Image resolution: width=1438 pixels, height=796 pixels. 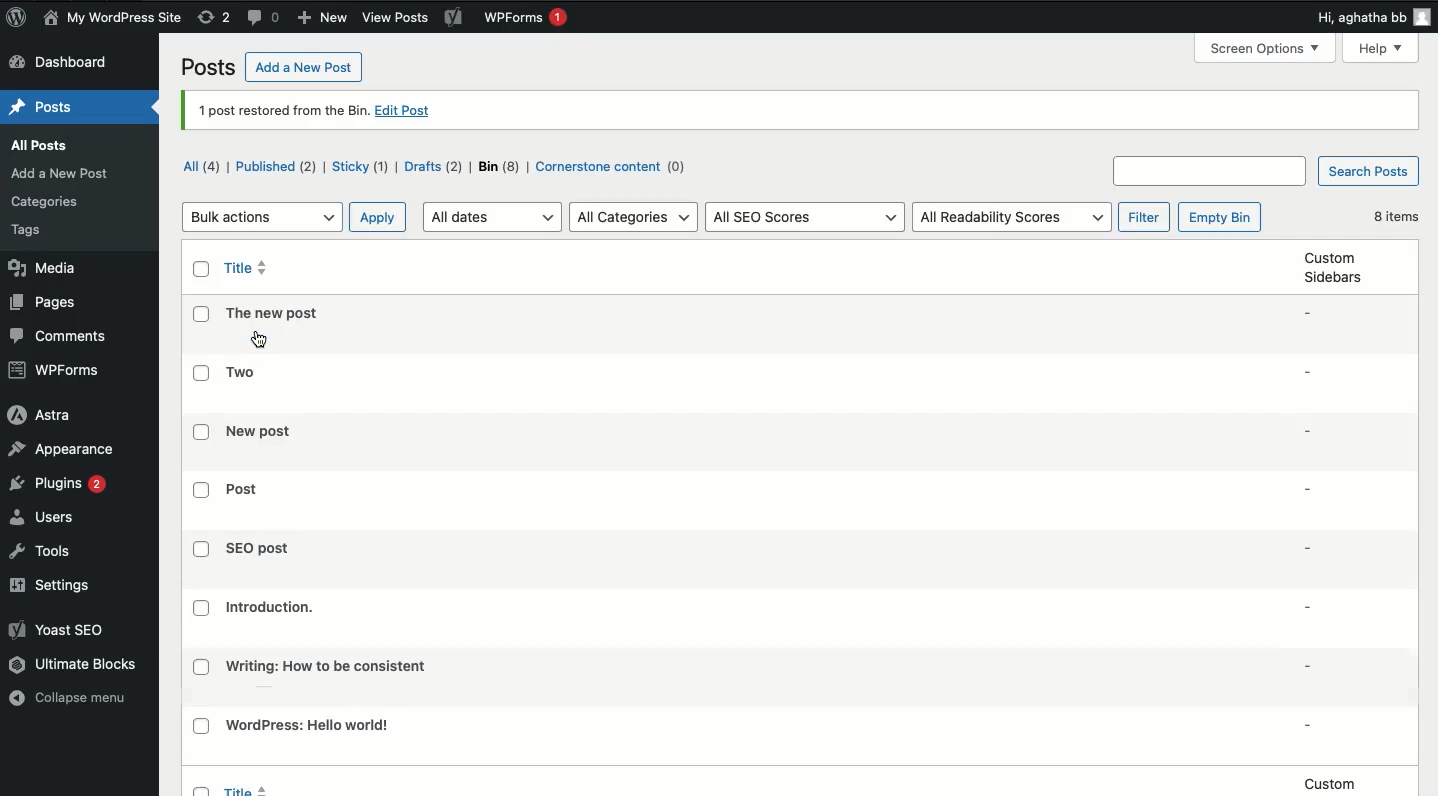 I want to click on Draft, so click(x=433, y=167).